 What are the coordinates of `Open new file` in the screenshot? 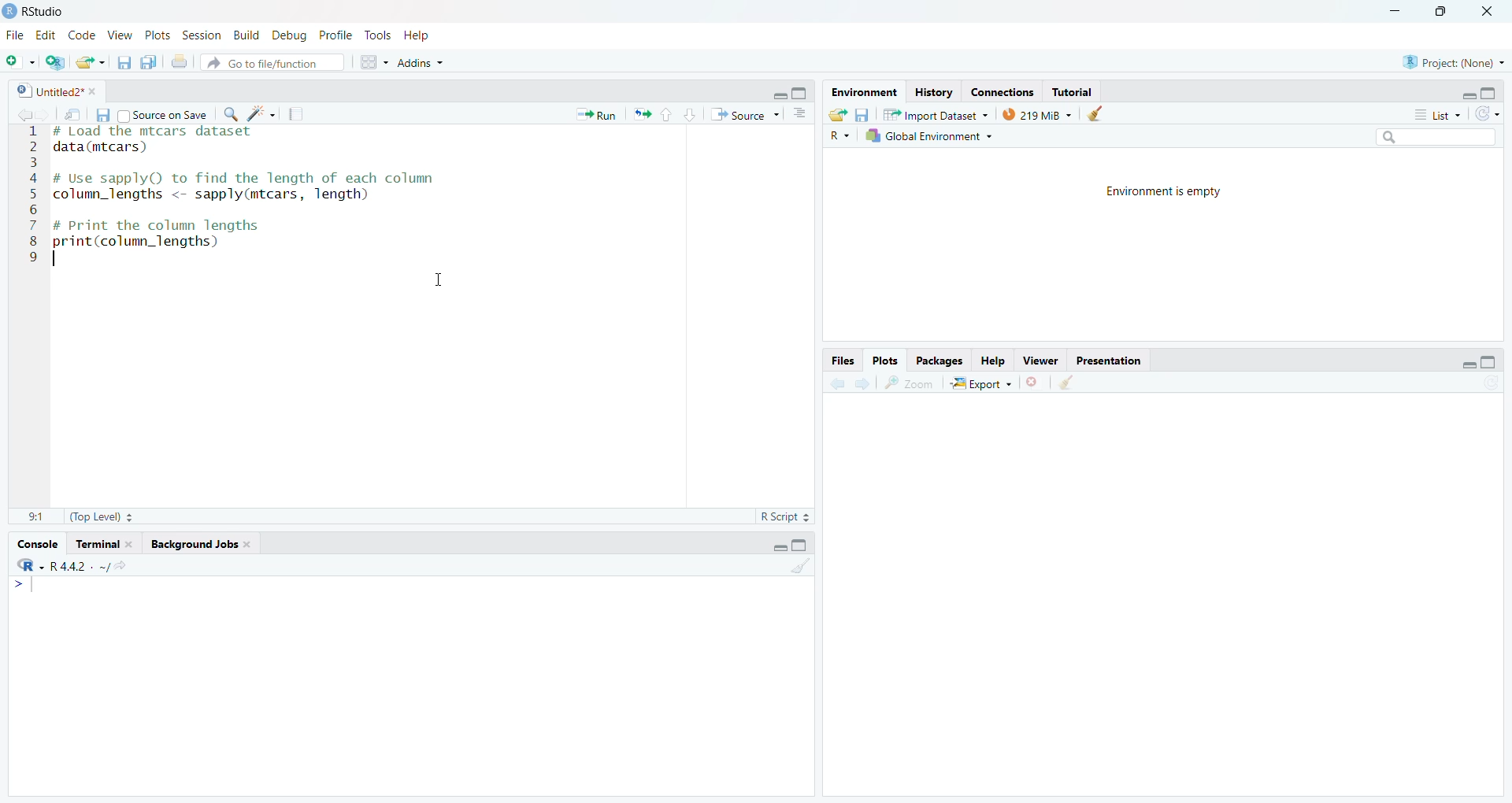 It's located at (20, 62).